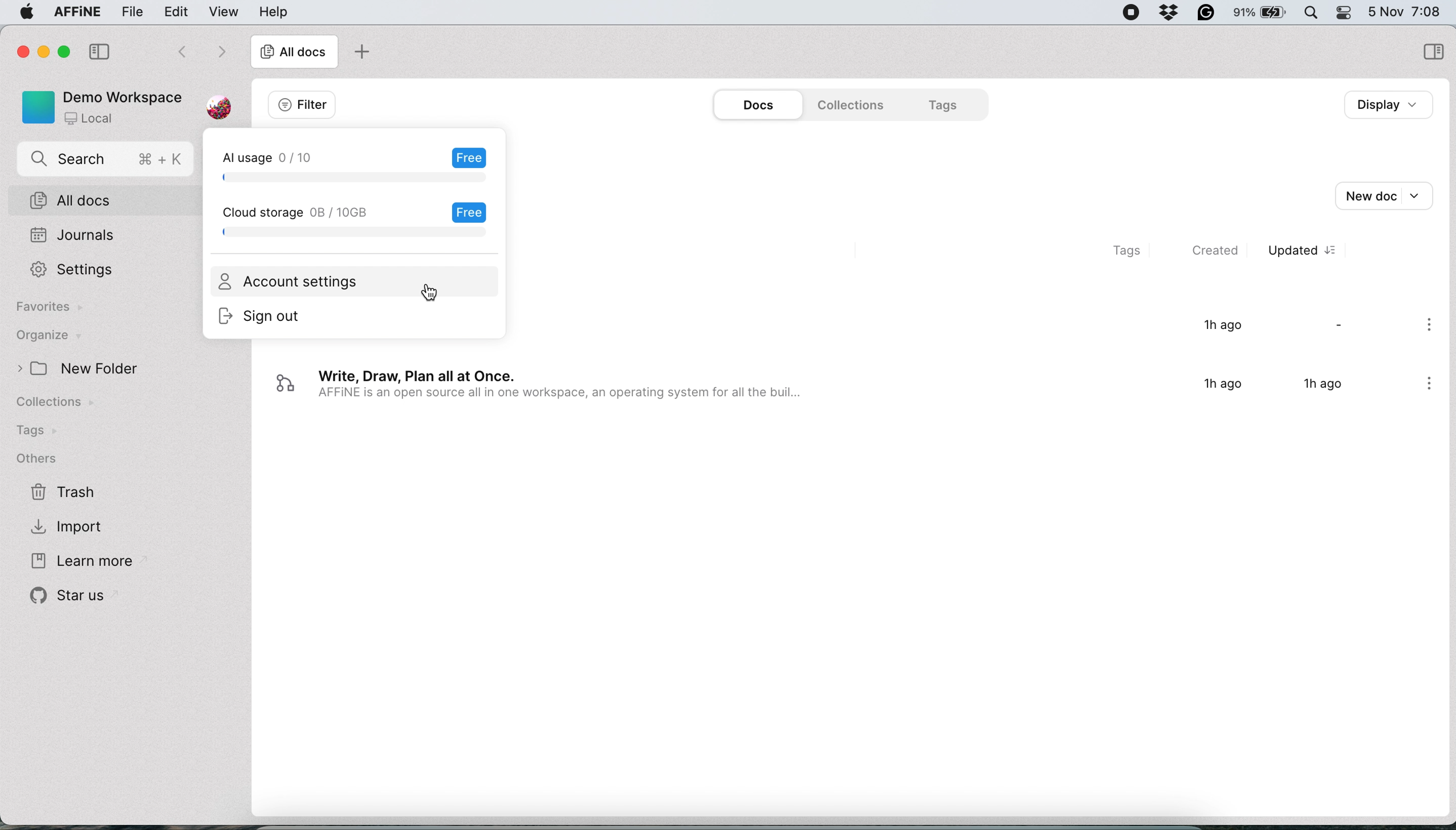 The height and width of the screenshot is (830, 1456). Describe the element at coordinates (1430, 328) in the screenshot. I see `more options` at that location.